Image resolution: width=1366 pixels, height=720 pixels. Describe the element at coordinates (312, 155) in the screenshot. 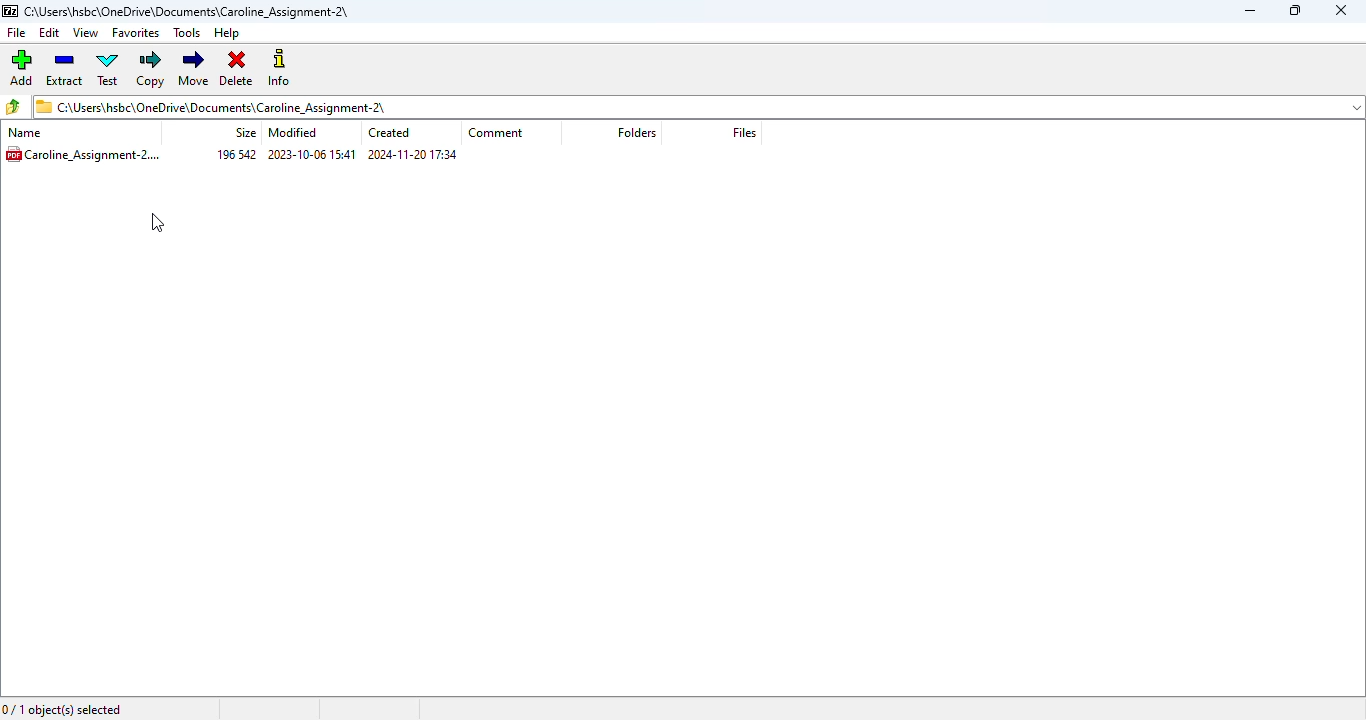

I see `2023-10-06 15:41` at that location.